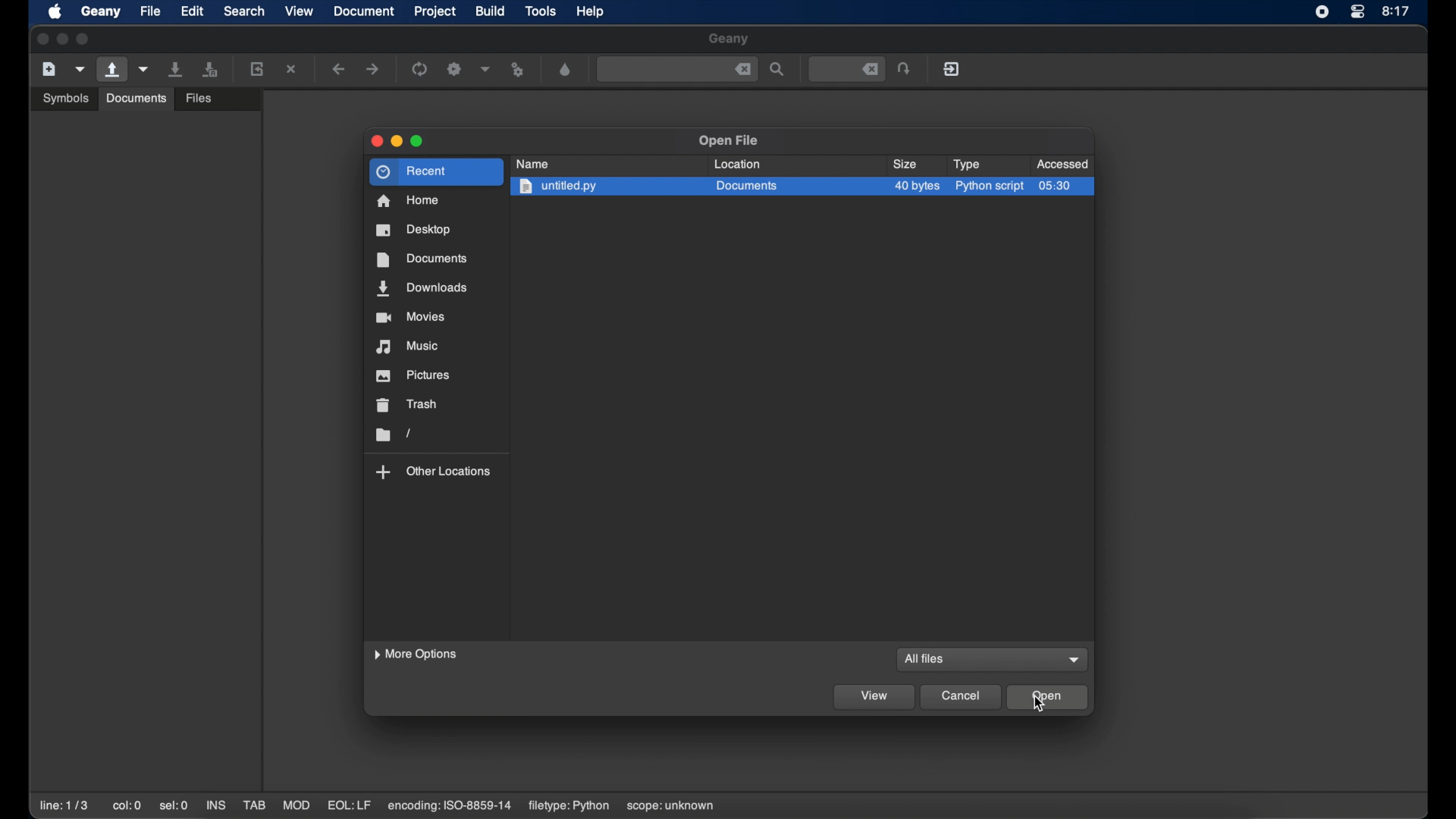 This screenshot has width=1456, height=819. I want to click on help, so click(590, 11).